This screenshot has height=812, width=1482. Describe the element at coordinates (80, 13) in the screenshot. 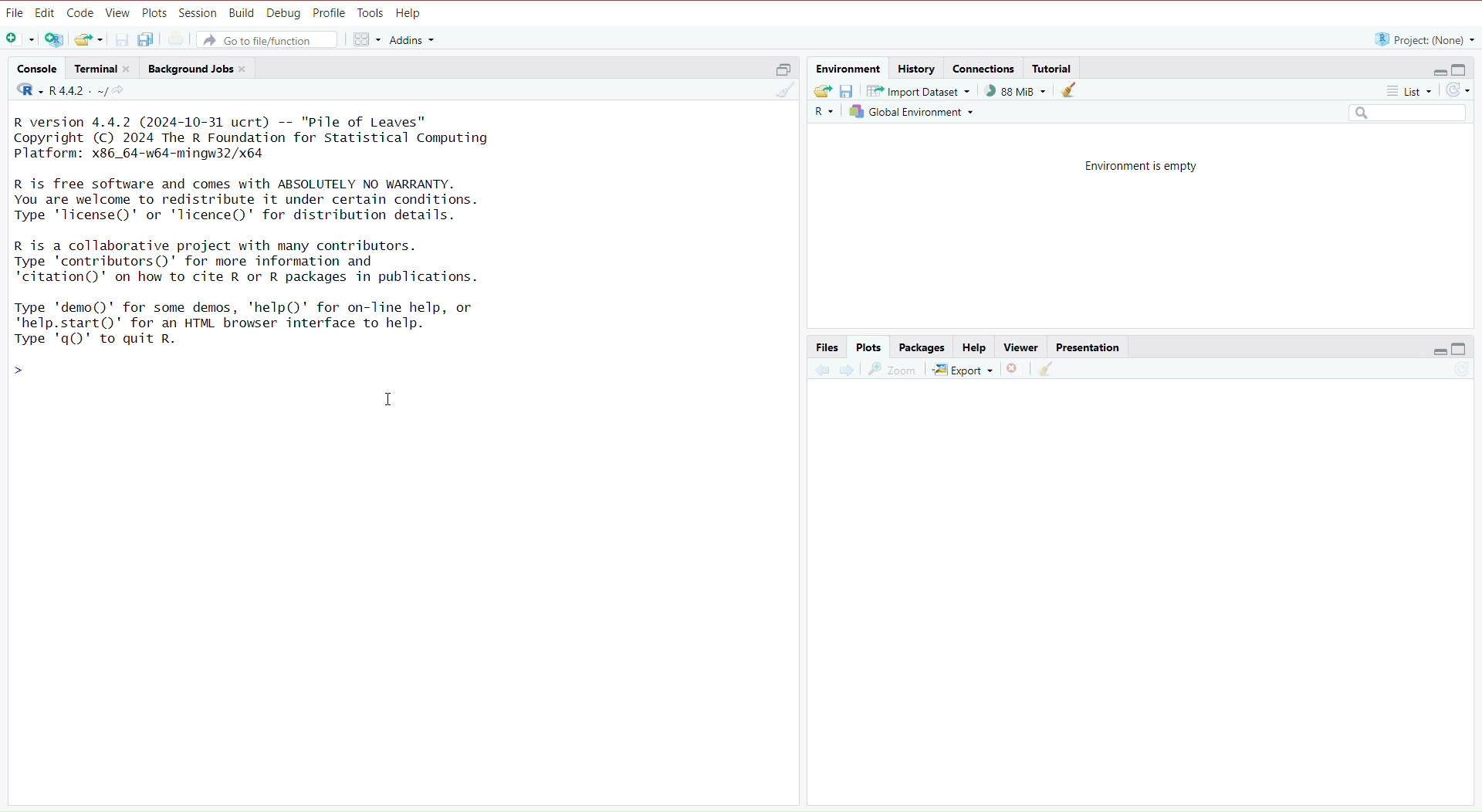

I see `code` at that location.